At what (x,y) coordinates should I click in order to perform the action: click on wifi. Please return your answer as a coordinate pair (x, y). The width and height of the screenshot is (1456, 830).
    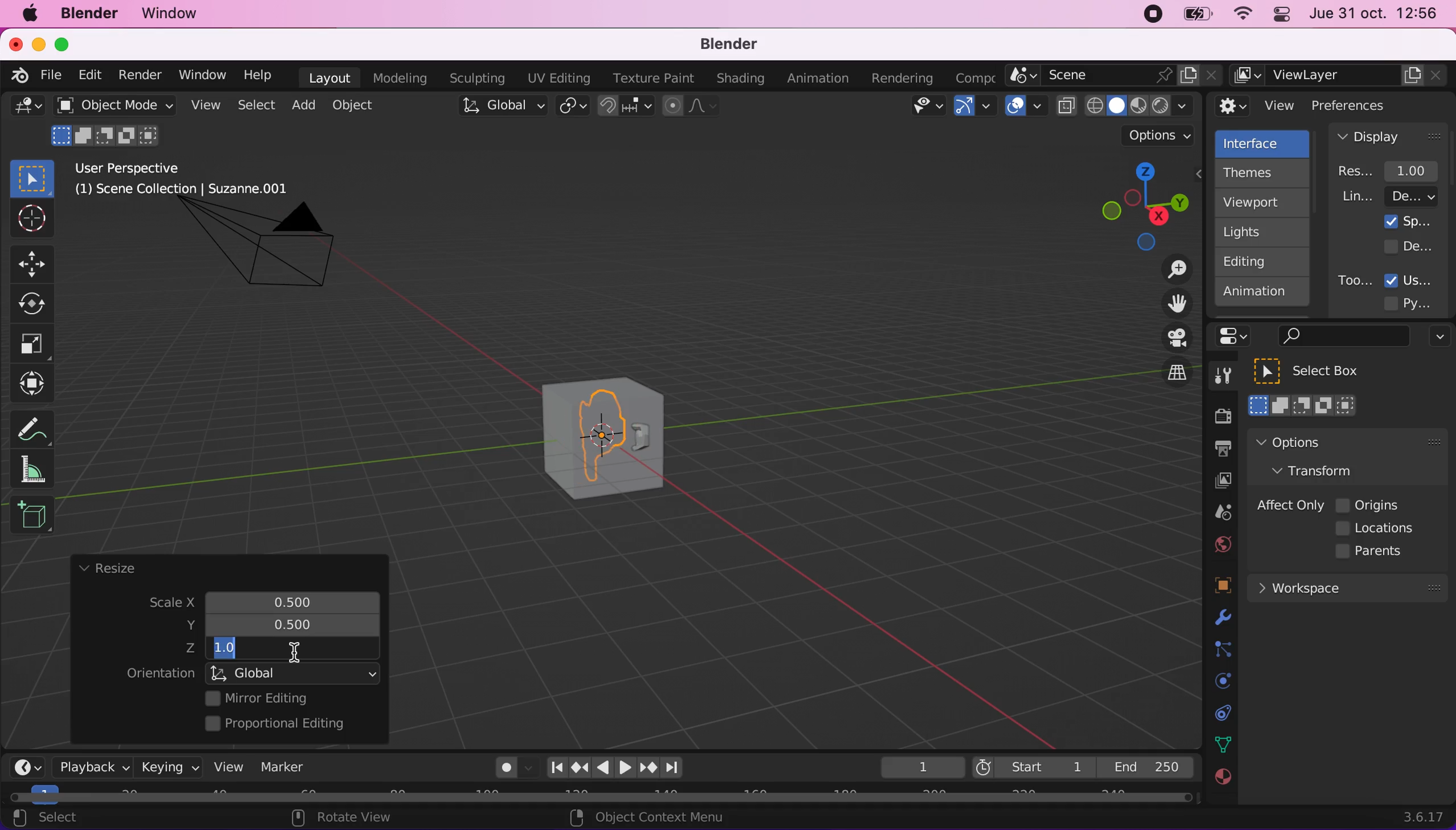
    Looking at the image, I should click on (1239, 17).